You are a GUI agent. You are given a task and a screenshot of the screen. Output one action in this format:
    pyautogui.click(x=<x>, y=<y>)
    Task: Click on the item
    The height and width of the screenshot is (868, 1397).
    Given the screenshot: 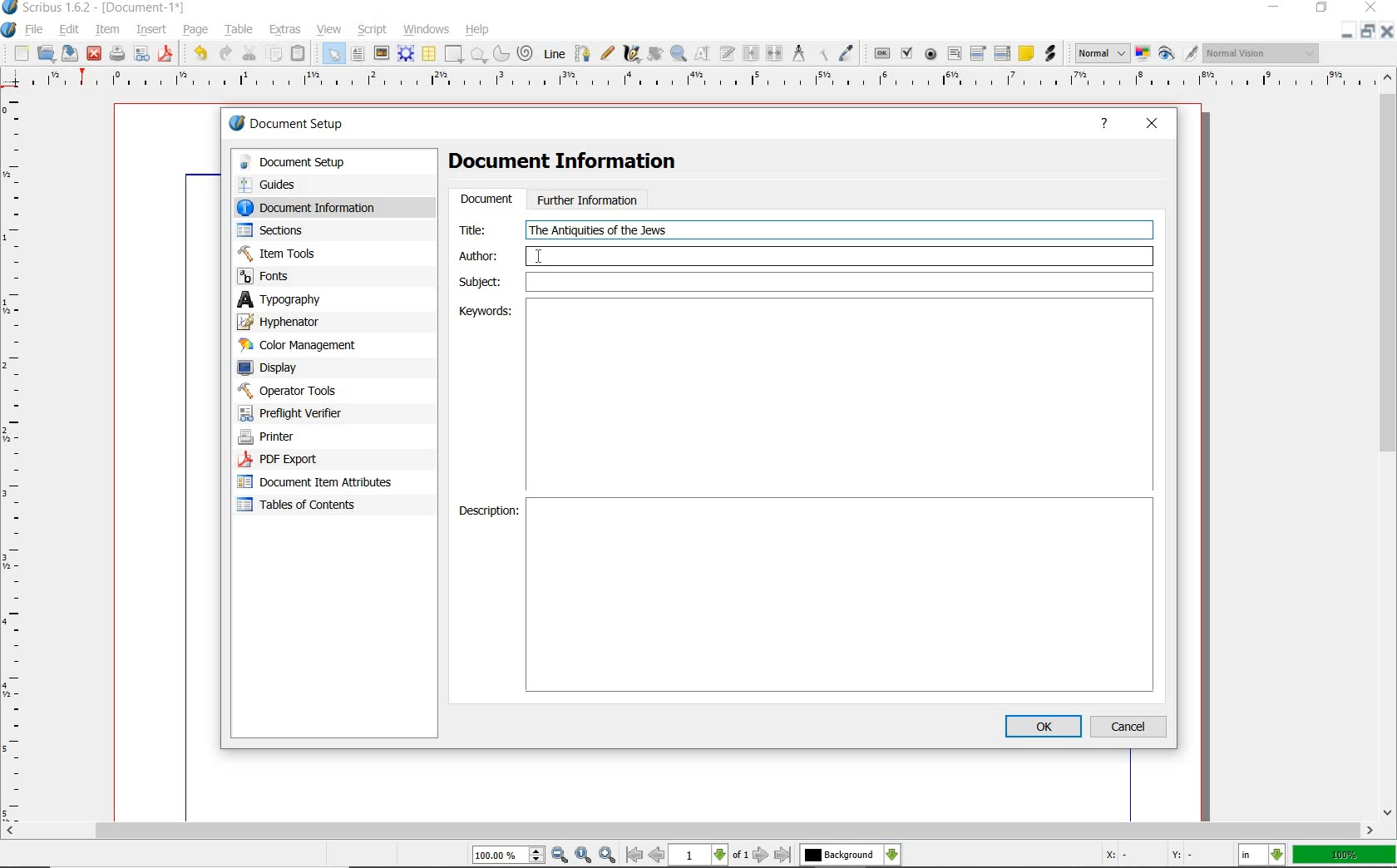 What is the action you would take?
    pyautogui.click(x=108, y=31)
    